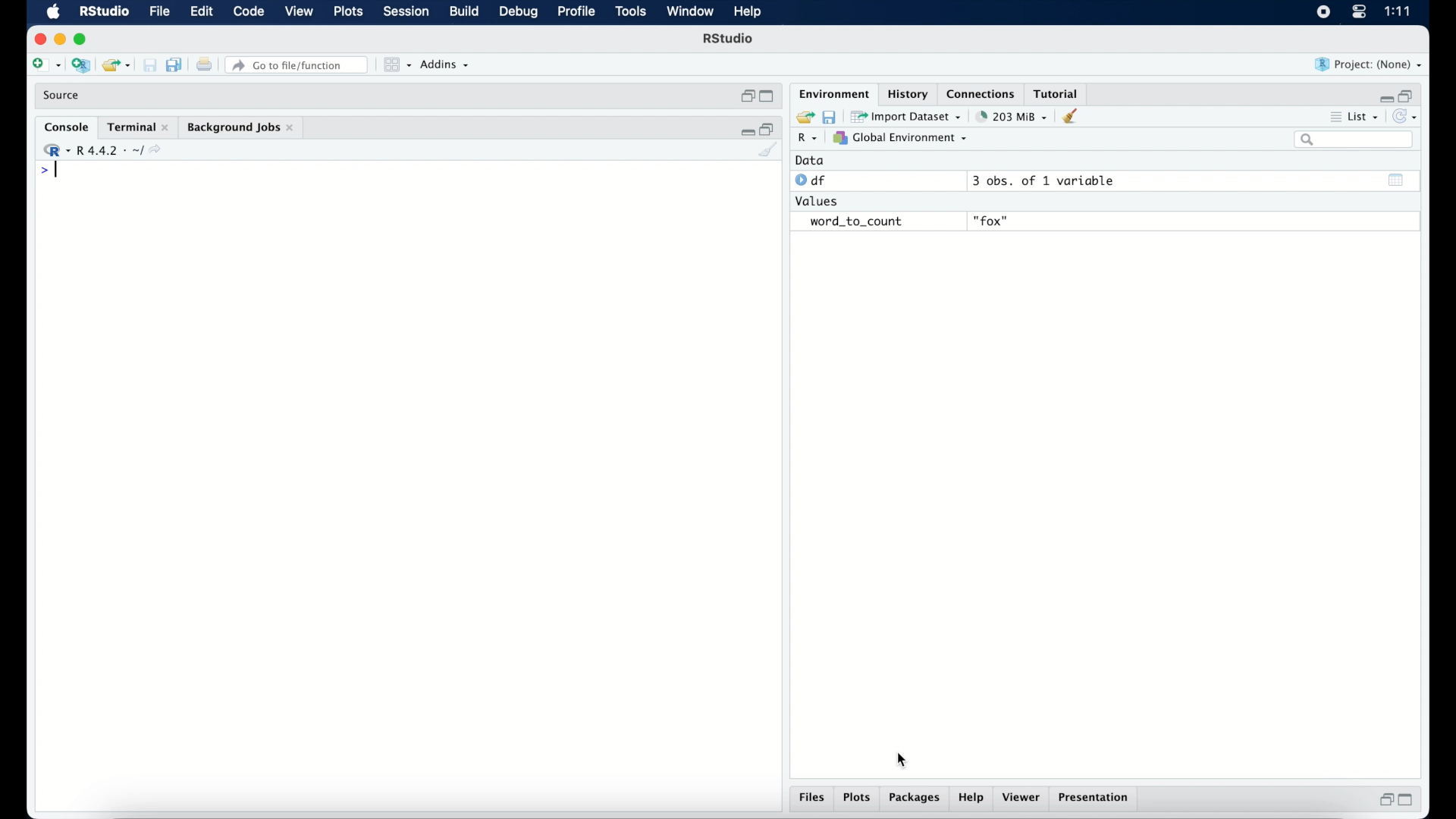 The width and height of the screenshot is (1456, 819). What do you see at coordinates (902, 760) in the screenshot?
I see `cursor` at bounding box center [902, 760].